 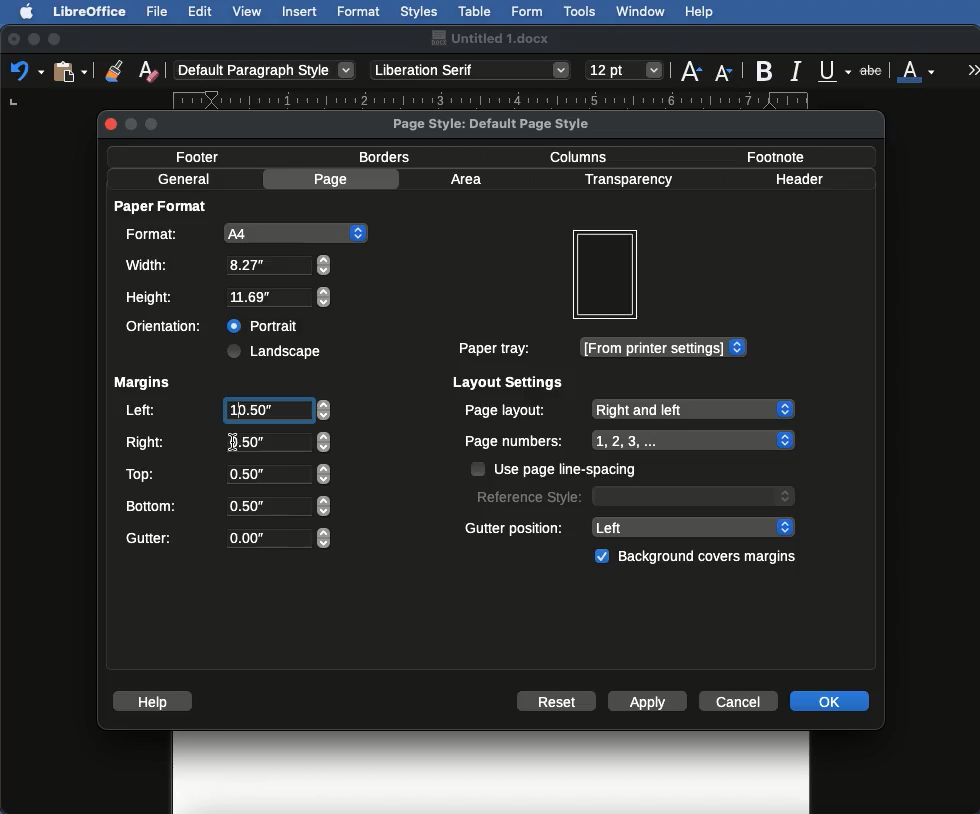 What do you see at coordinates (228, 539) in the screenshot?
I see `Gutter` at bounding box center [228, 539].